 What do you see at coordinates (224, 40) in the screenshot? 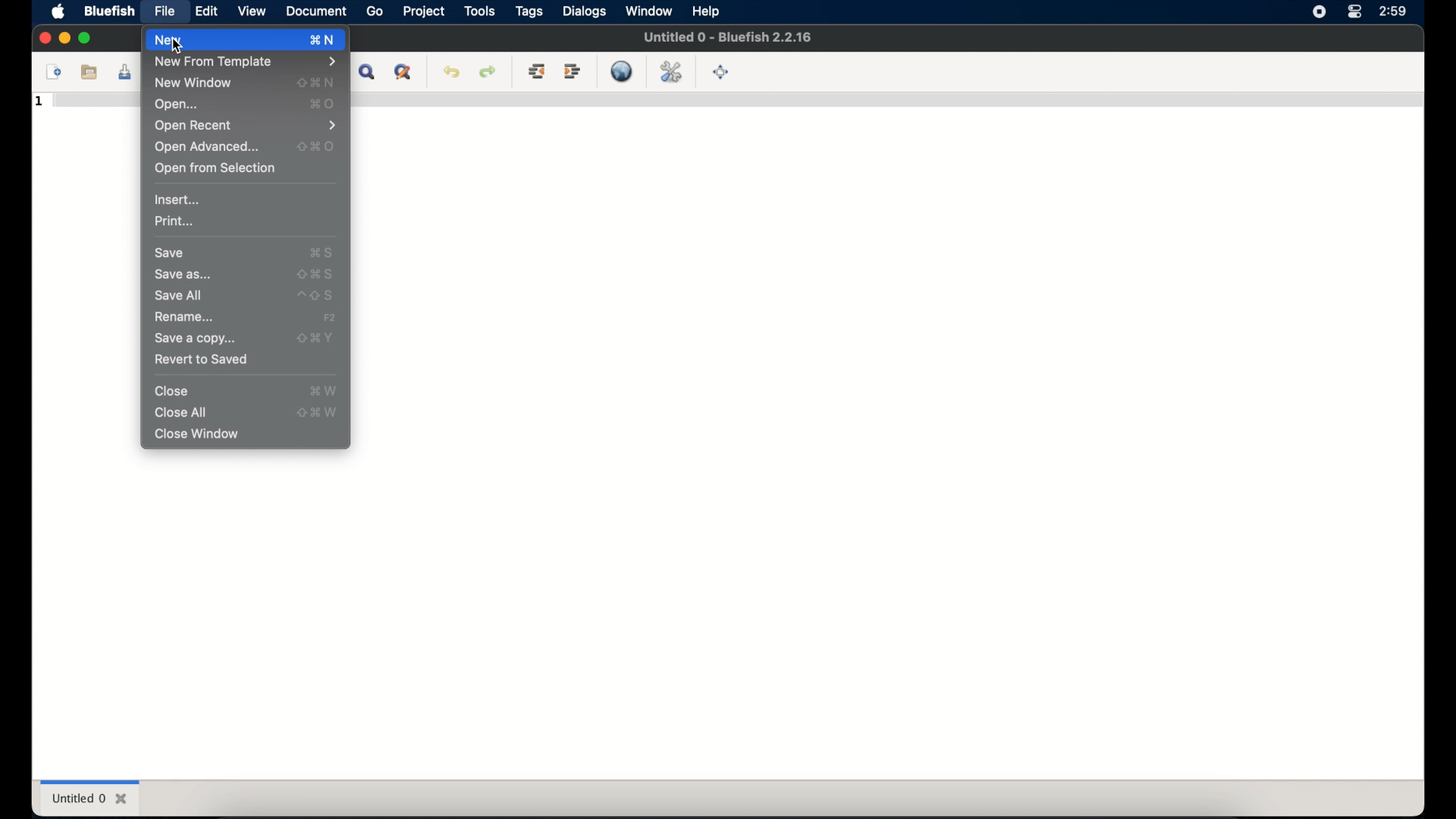
I see `new` at bounding box center [224, 40].